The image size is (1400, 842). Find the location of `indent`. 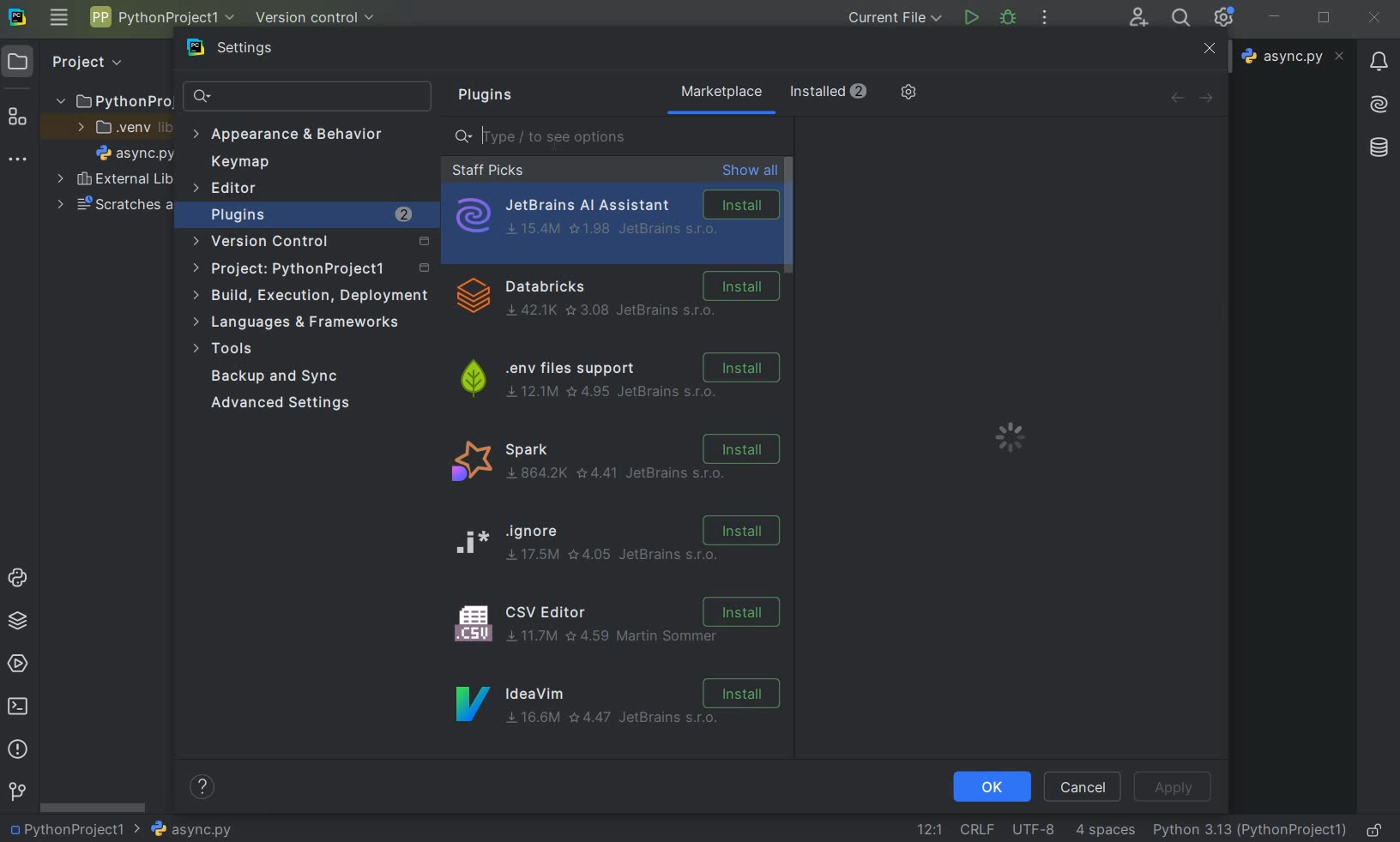

indent is located at coordinates (1107, 832).